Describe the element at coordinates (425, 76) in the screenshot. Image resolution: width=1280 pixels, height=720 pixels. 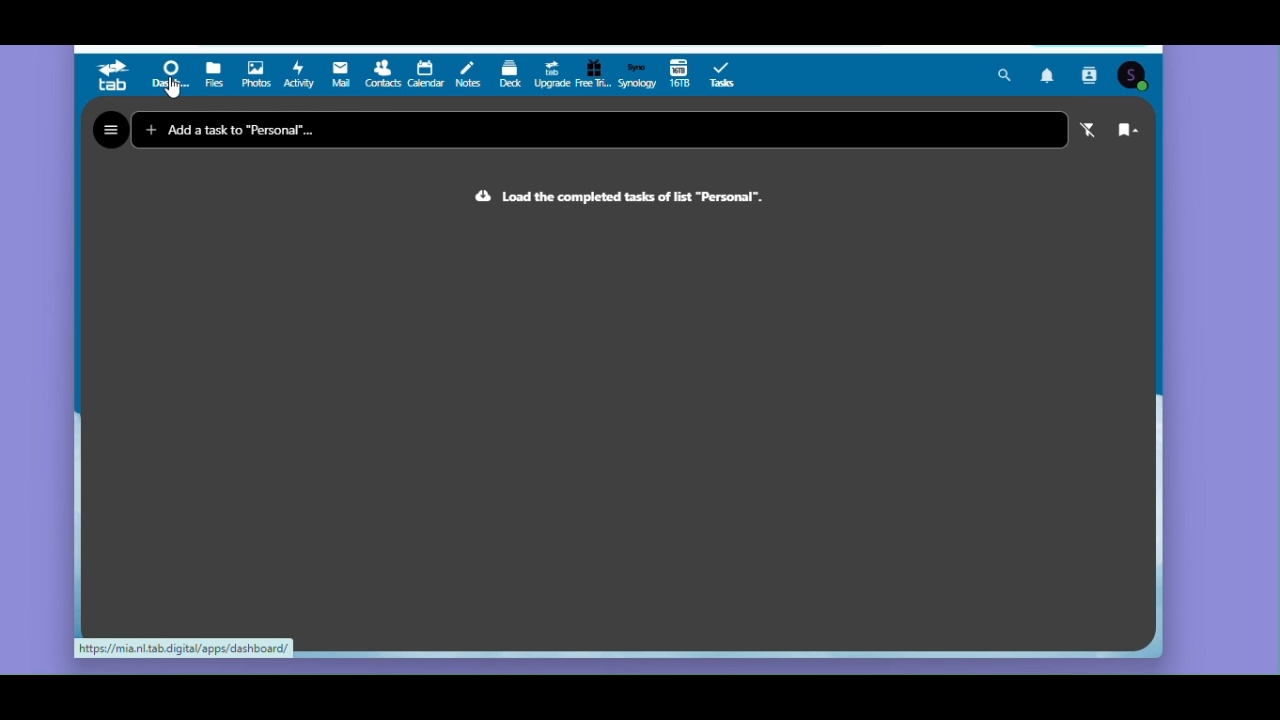
I see `Calendar` at that location.